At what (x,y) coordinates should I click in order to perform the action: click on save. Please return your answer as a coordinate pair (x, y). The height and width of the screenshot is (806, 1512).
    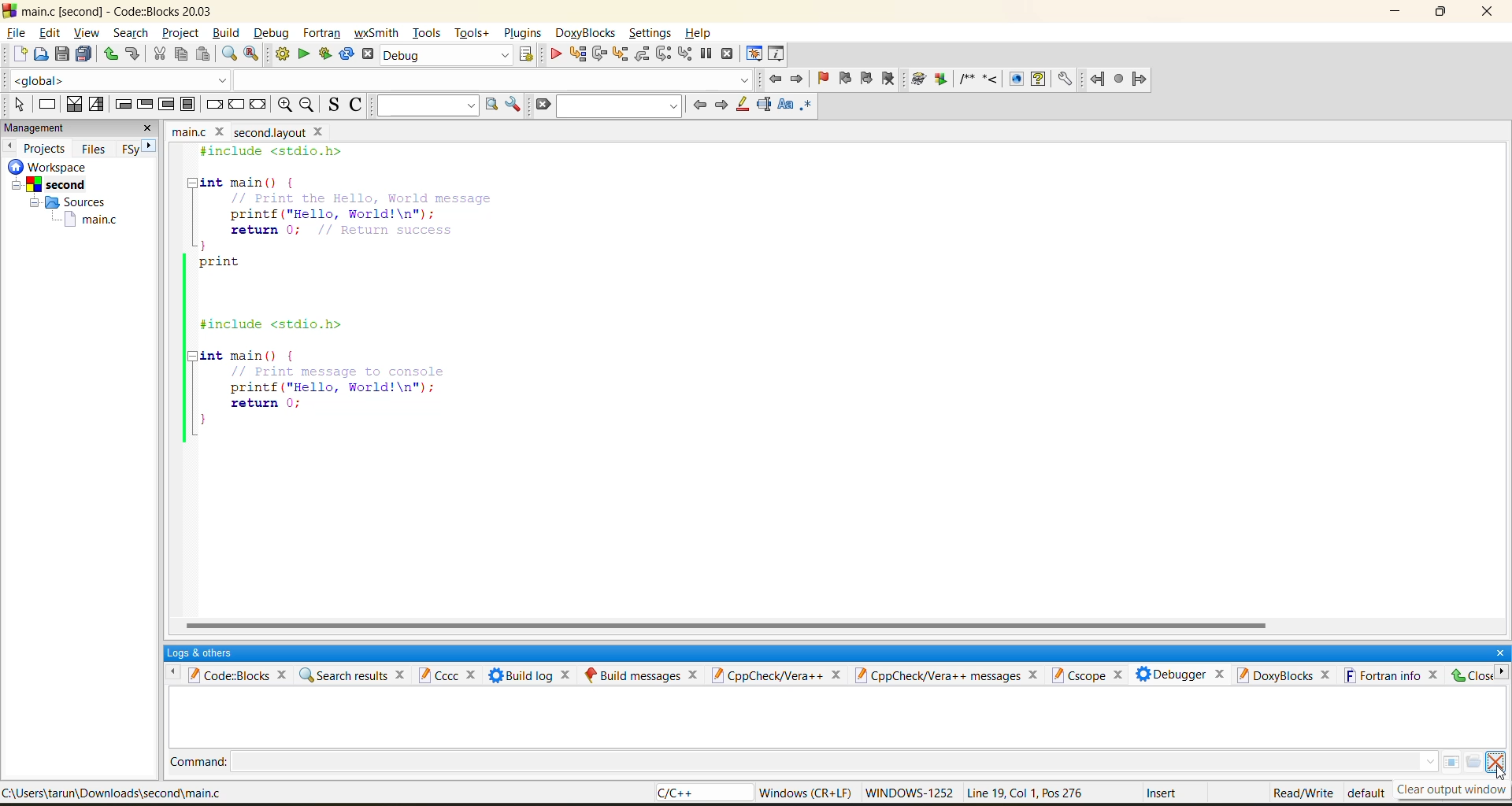
    Looking at the image, I should click on (61, 55).